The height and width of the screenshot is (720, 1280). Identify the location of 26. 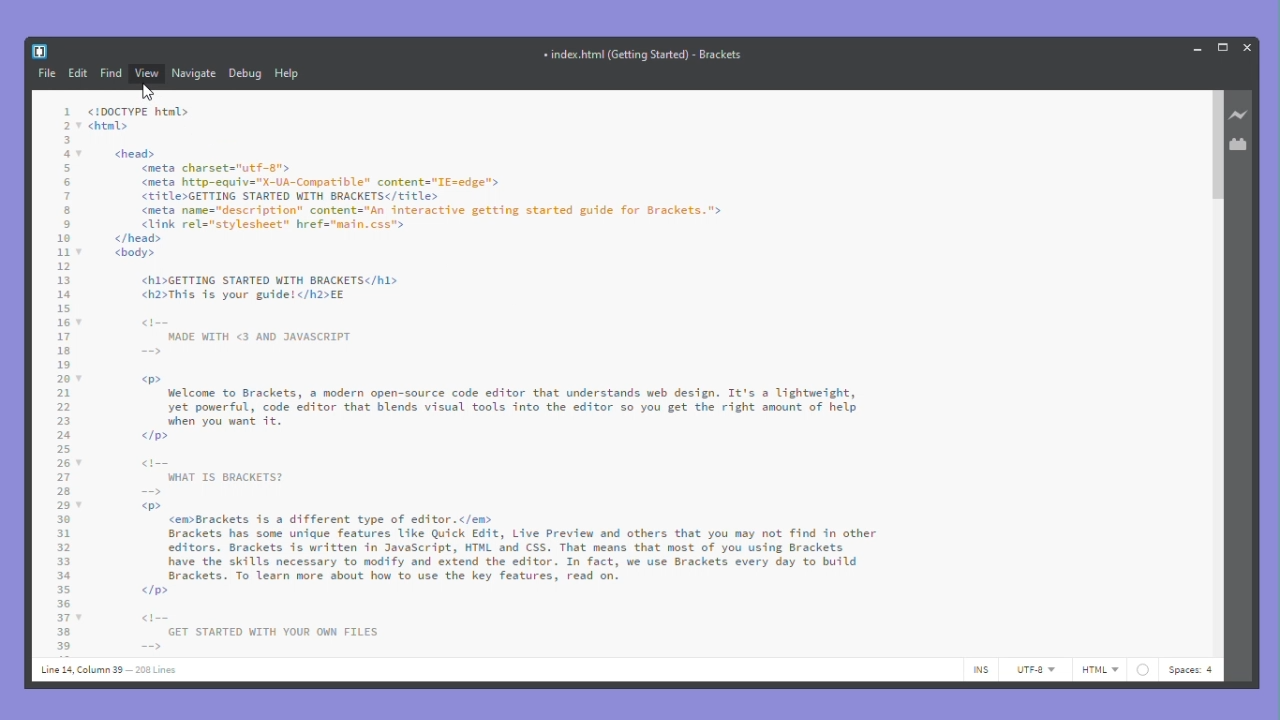
(63, 462).